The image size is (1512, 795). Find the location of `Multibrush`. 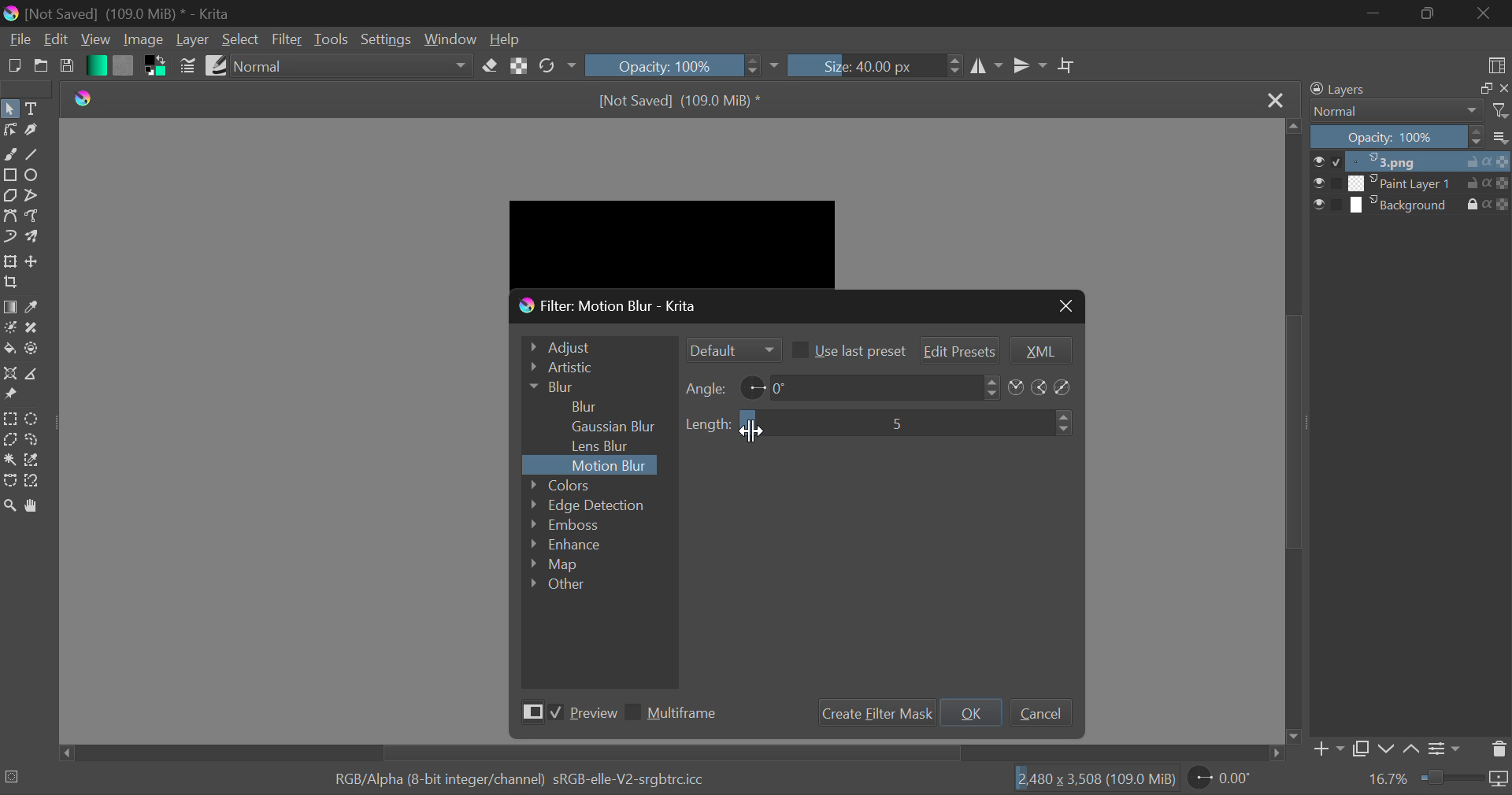

Multibrush is located at coordinates (35, 238).